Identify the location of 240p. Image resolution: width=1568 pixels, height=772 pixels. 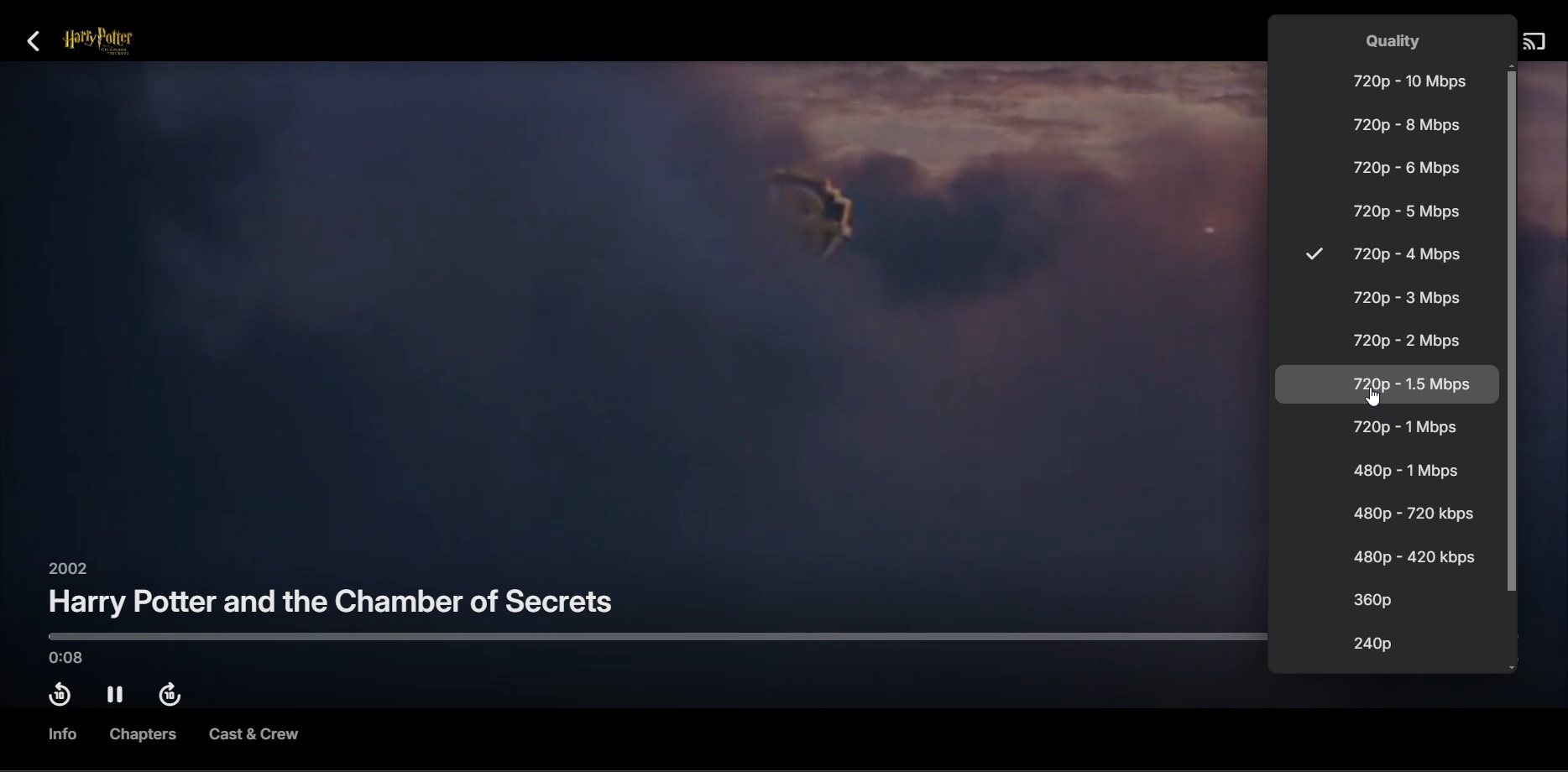
(1371, 643).